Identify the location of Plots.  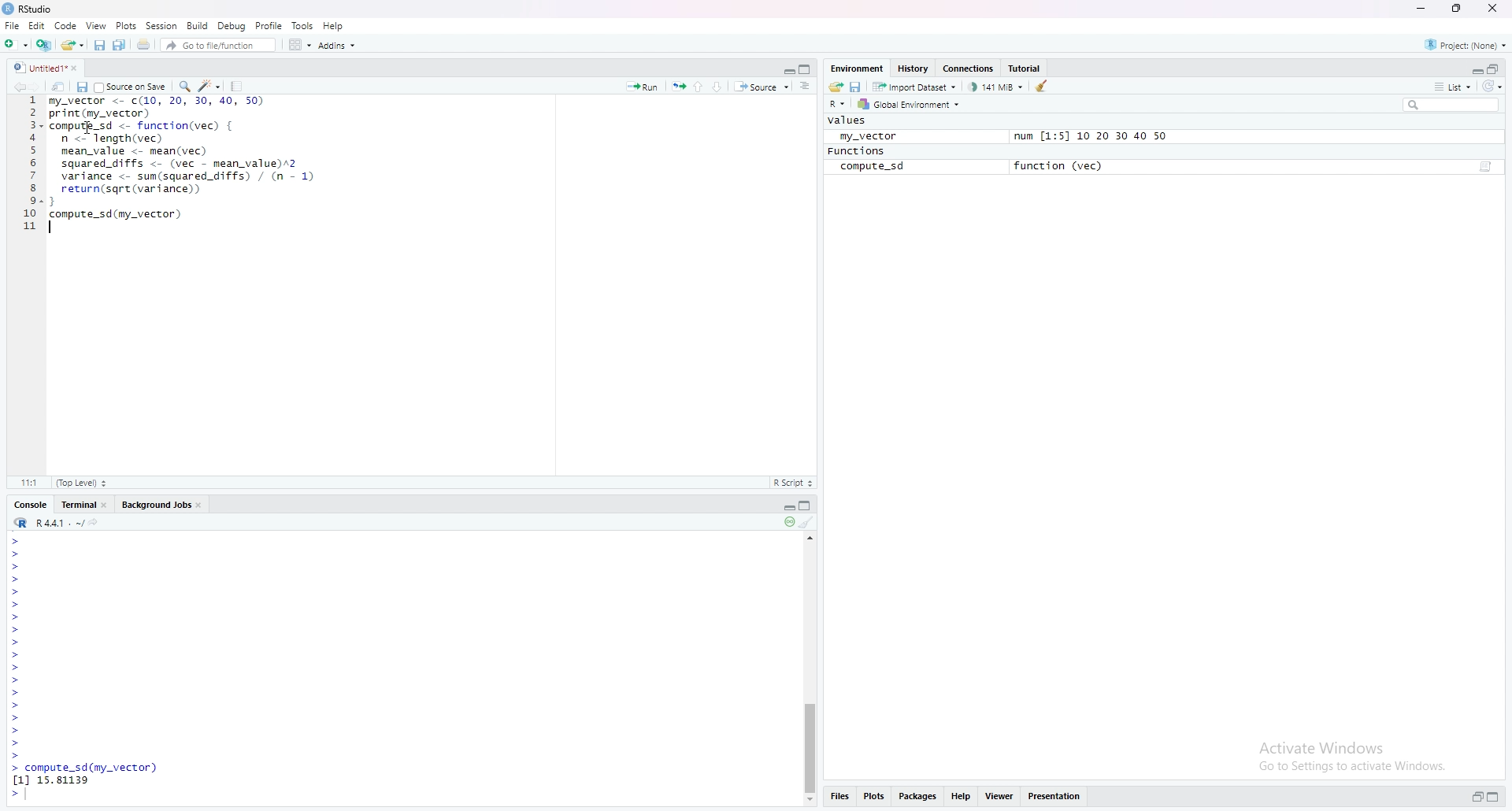
(126, 25).